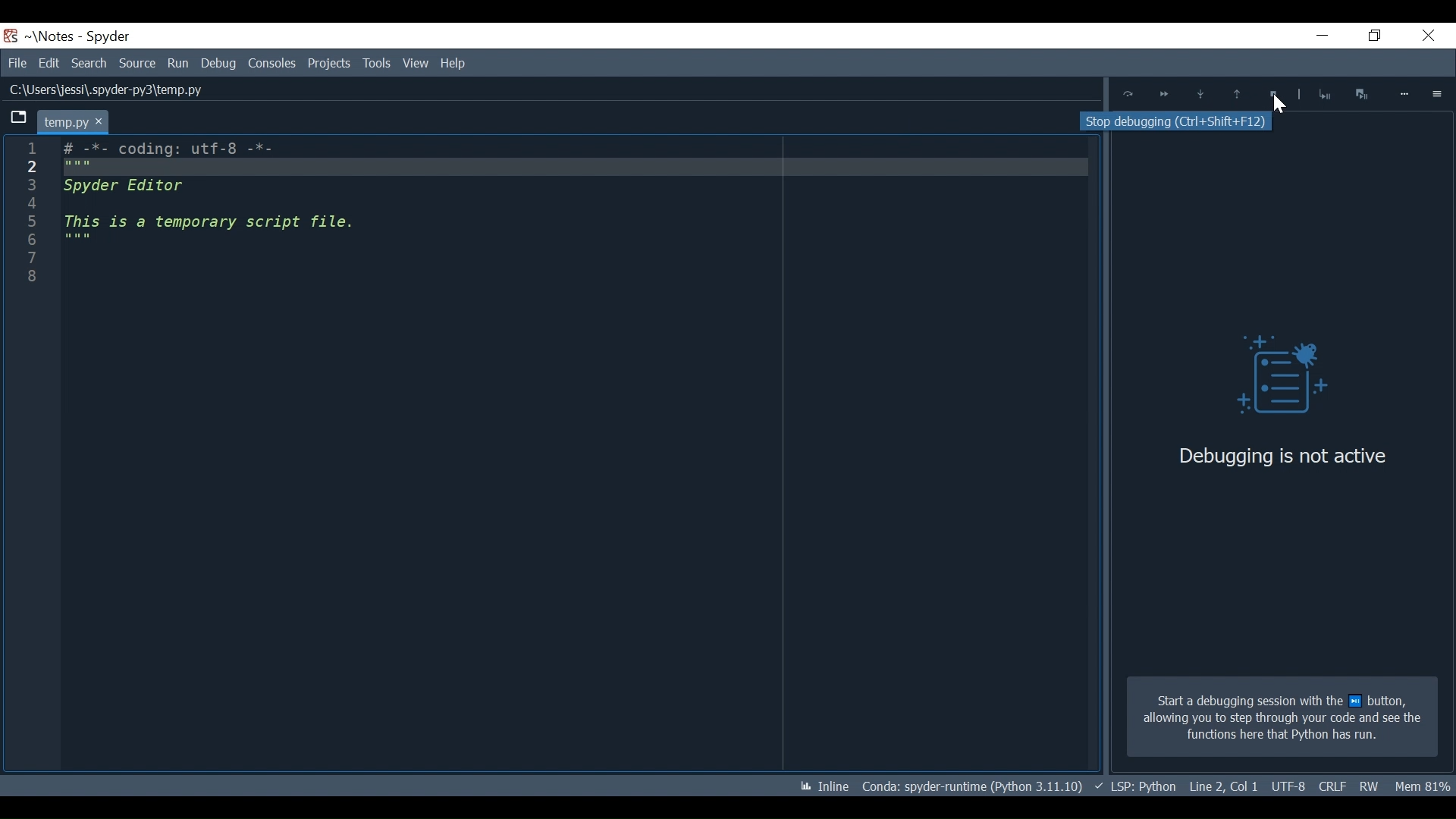 This screenshot has height=819, width=1456. Describe the element at coordinates (414, 64) in the screenshot. I see `Help` at that location.